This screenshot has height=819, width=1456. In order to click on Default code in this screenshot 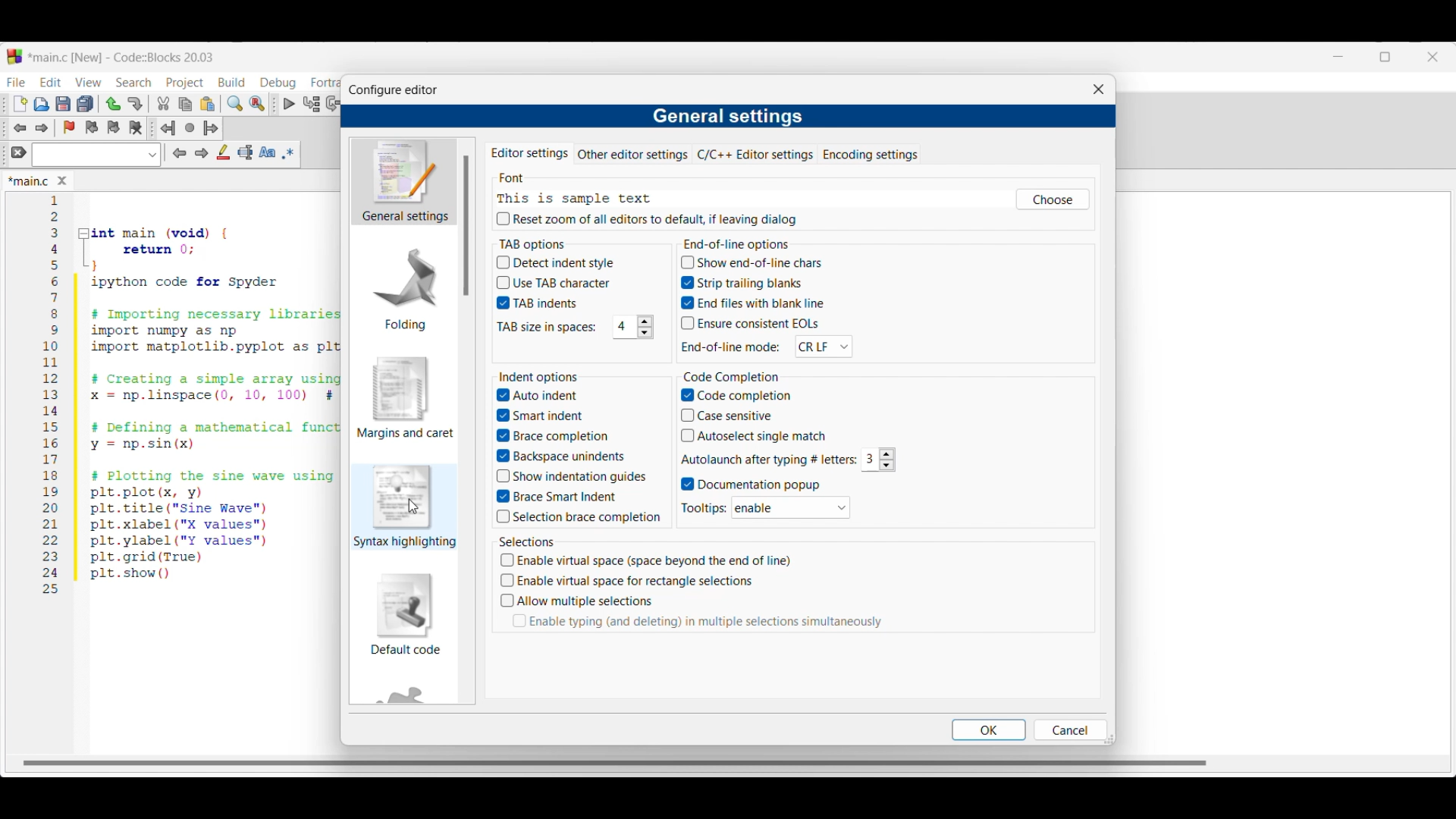, I will do `click(406, 613)`.